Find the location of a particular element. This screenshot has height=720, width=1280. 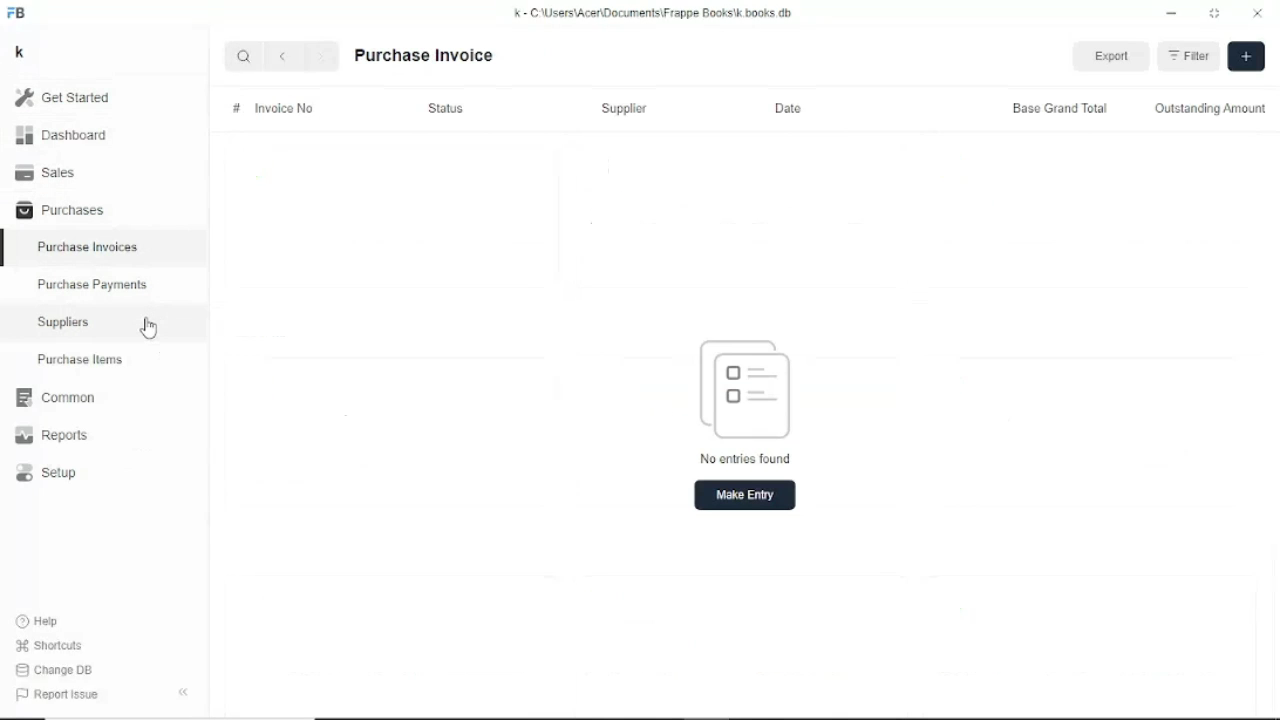

Change DB is located at coordinates (55, 671).